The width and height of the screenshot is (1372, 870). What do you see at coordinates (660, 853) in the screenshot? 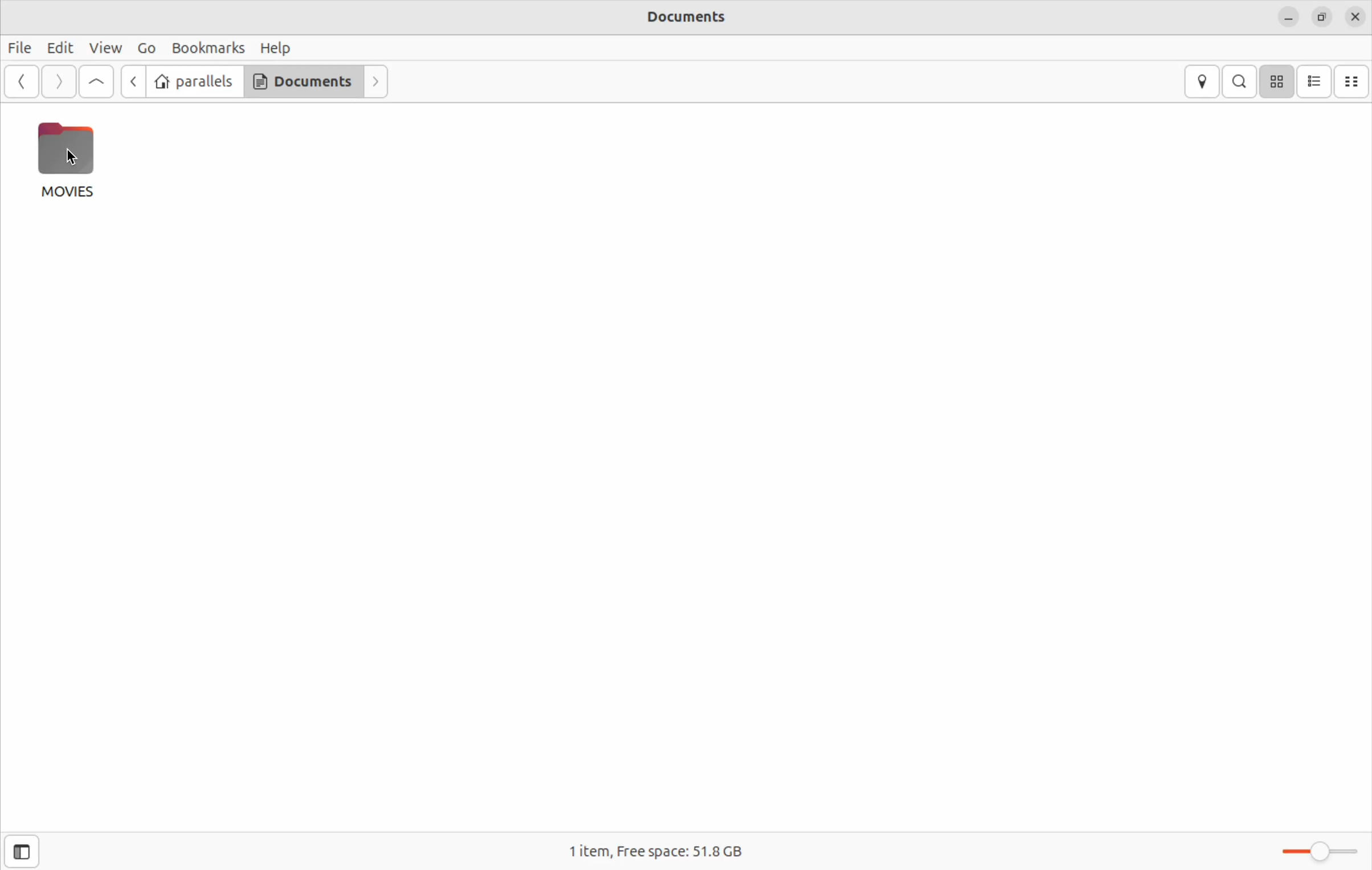
I see `1 item, Free space: 51.8 GB` at bounding box center [660, 853].